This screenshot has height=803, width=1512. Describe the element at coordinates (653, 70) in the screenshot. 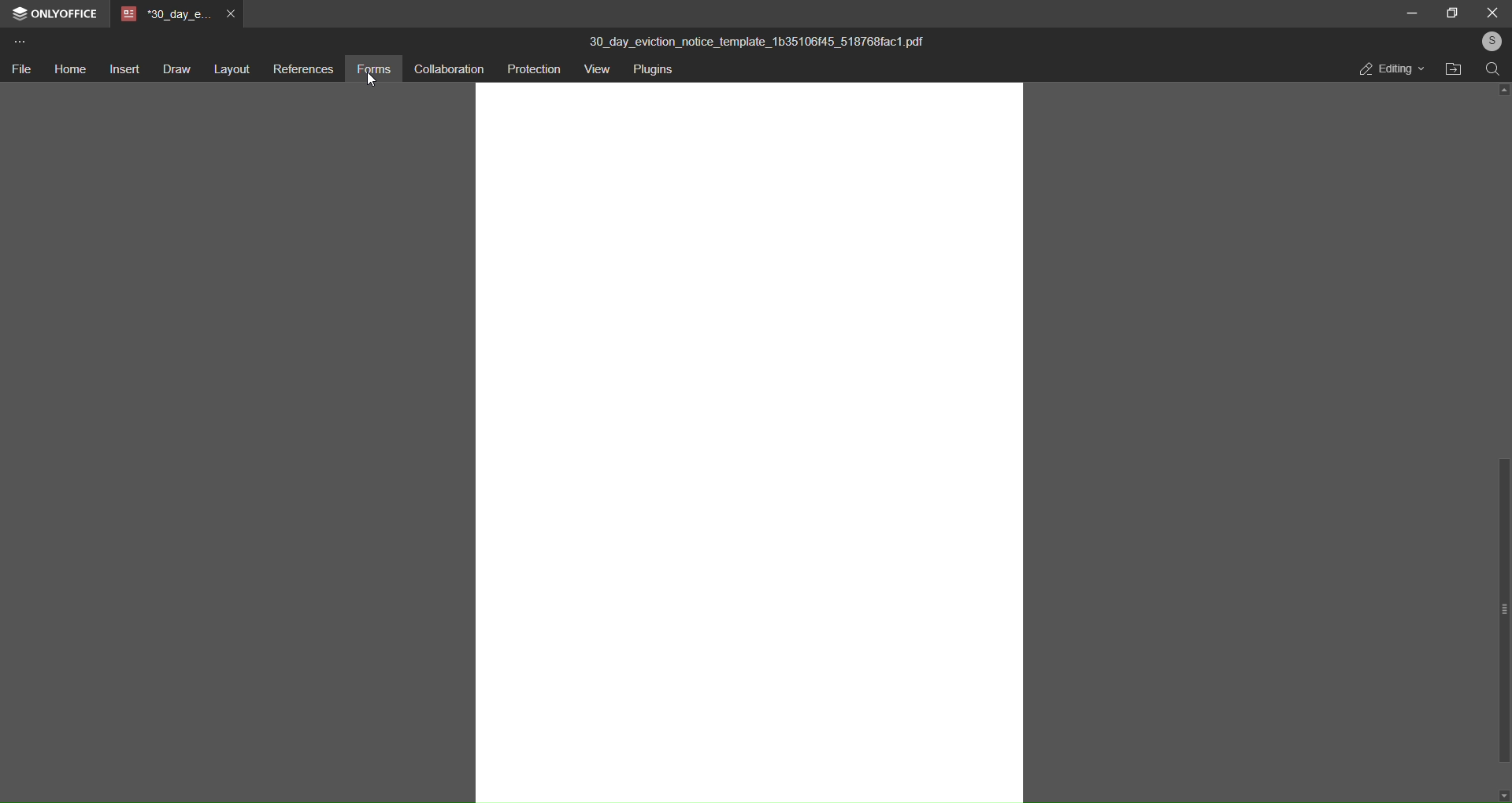

I see `plugins` at that location.